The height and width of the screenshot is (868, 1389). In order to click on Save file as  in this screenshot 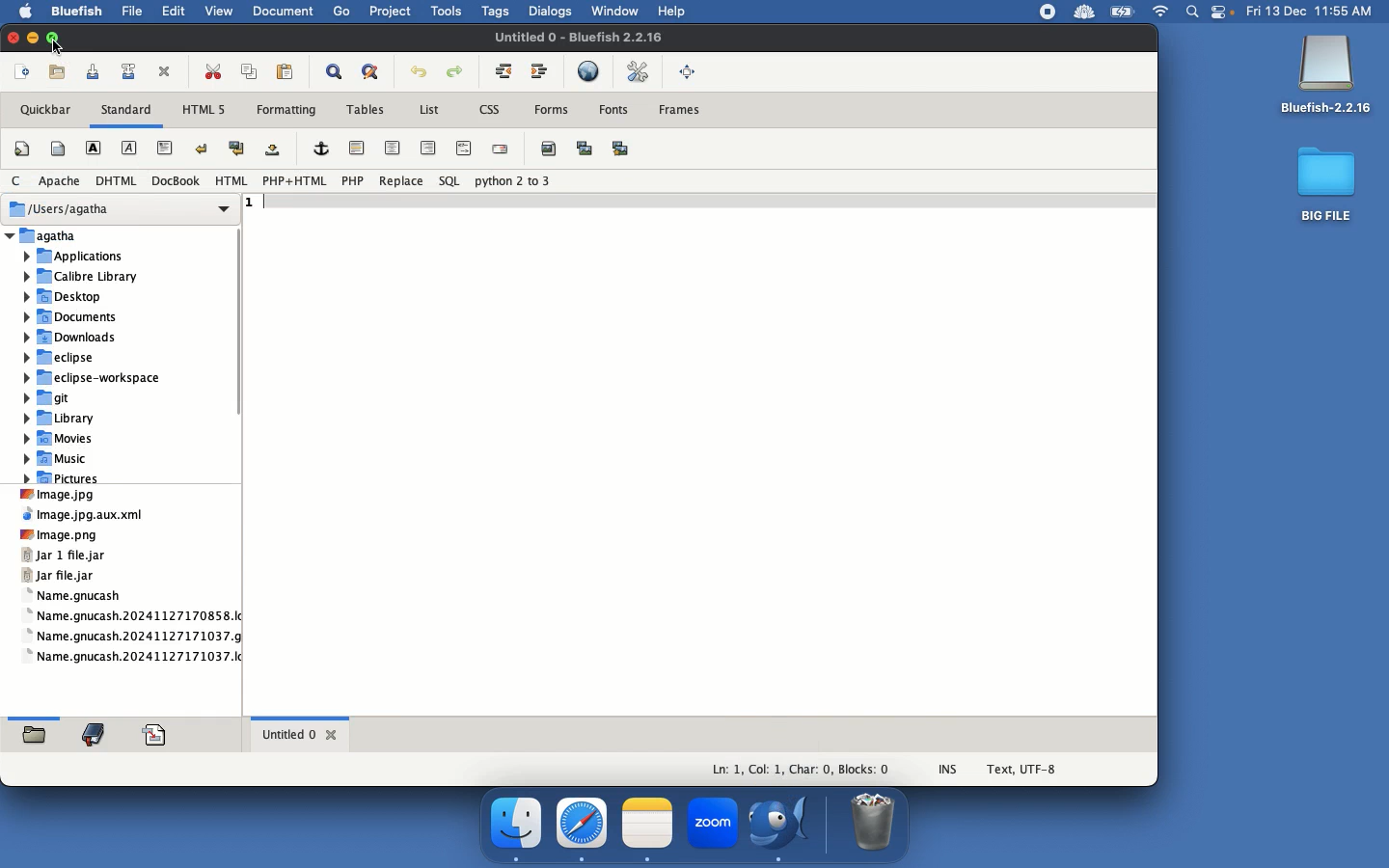, I will do `click(126, 71)`.